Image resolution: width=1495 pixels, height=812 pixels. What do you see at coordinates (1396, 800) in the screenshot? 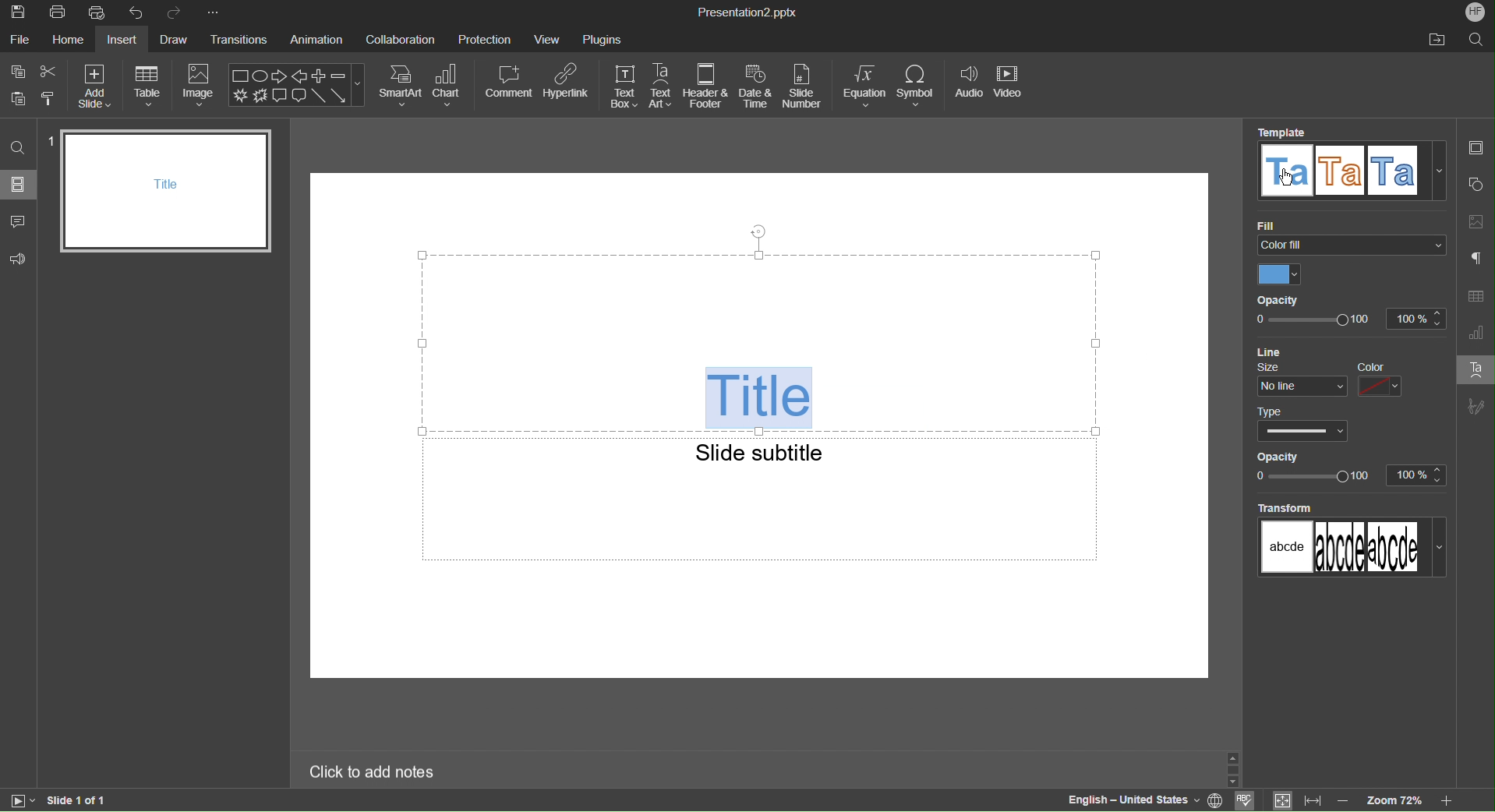
I see `zoom level` at bounding box center [1396, 800].